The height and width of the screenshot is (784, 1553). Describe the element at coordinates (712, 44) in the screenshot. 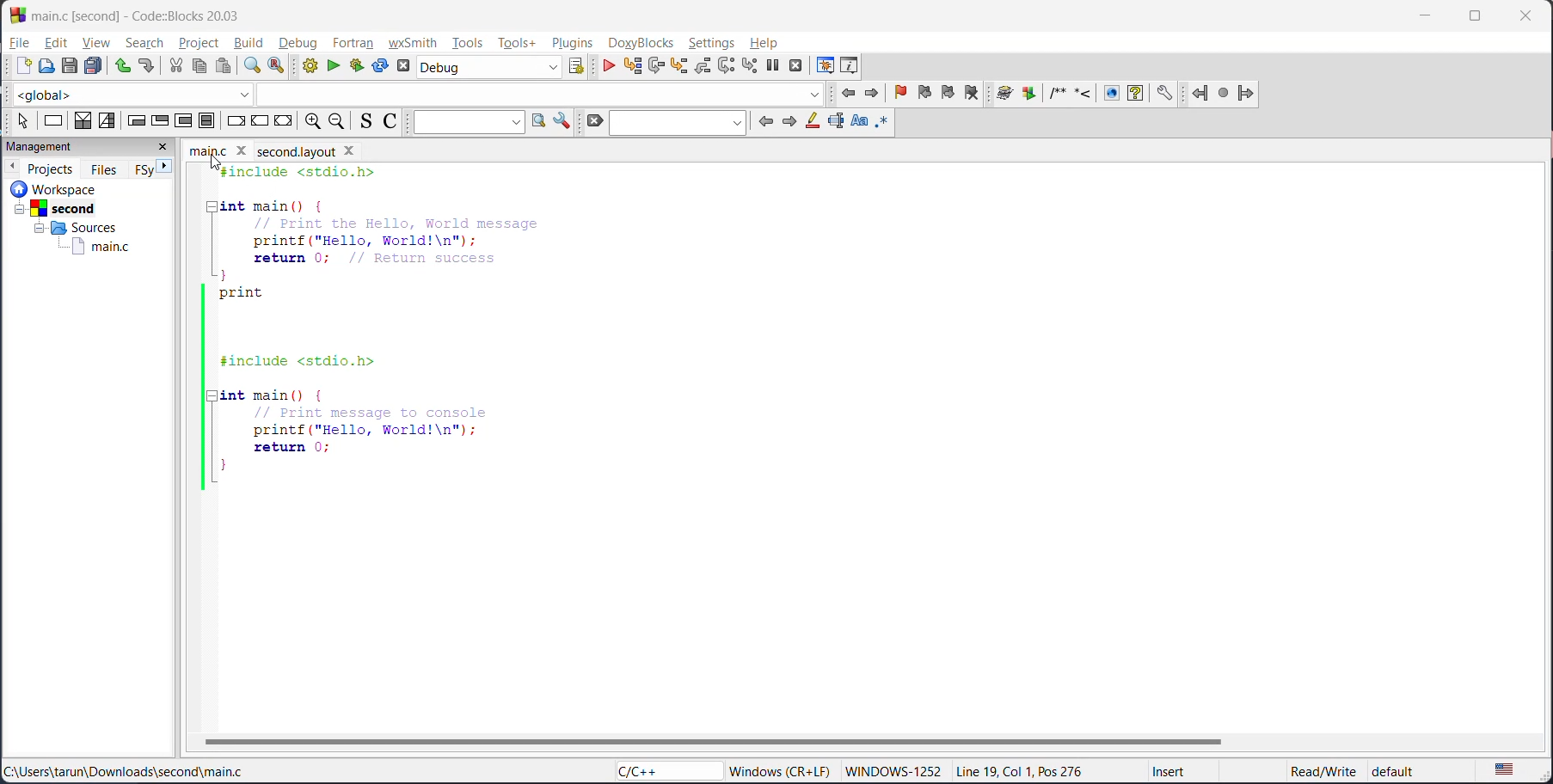

I see `settings` at that location.